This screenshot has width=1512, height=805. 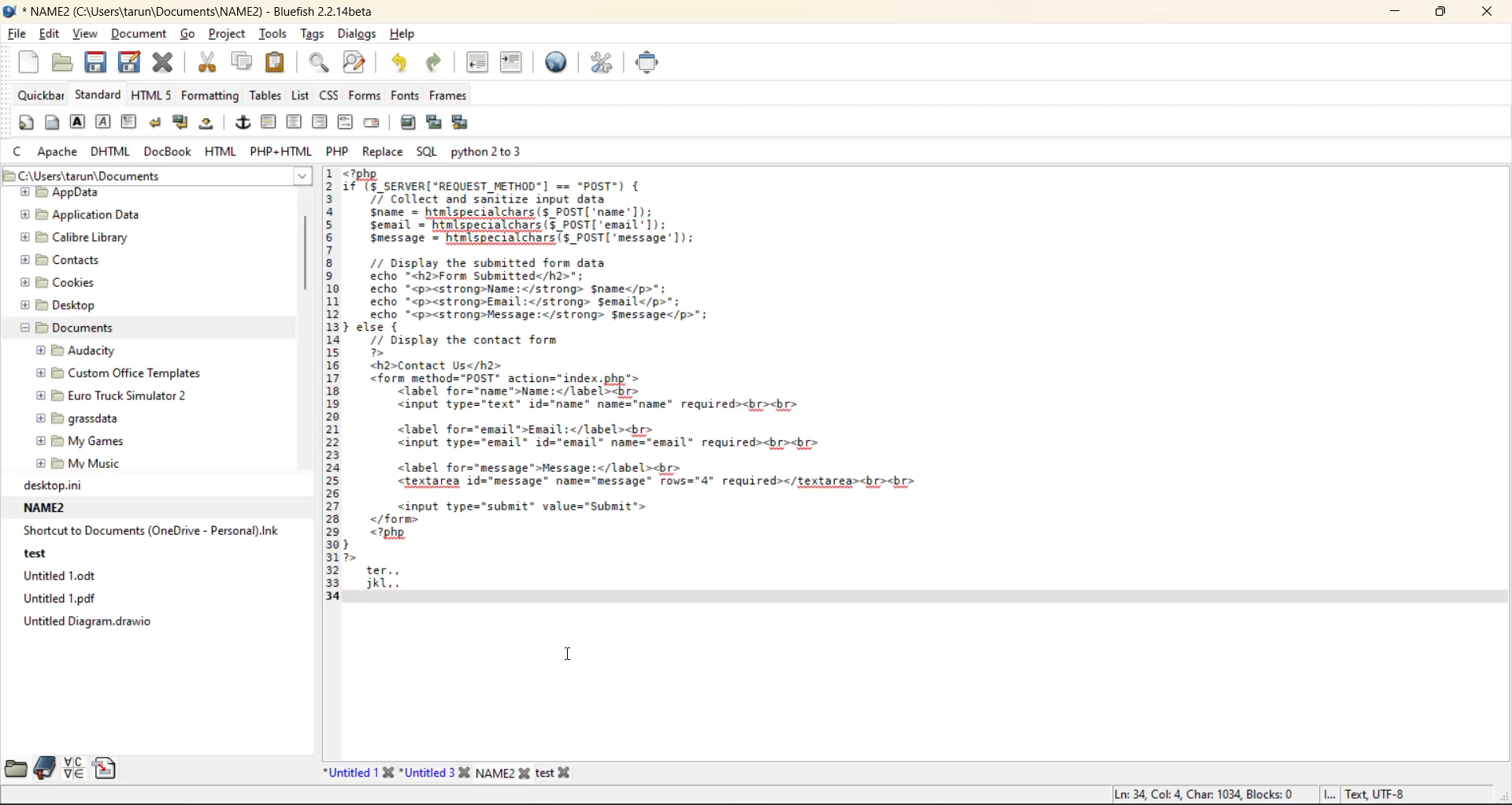 What do you see at coordinates (210, 64) in the screenshot?
I see `cut` at bounding box center [210, 64].